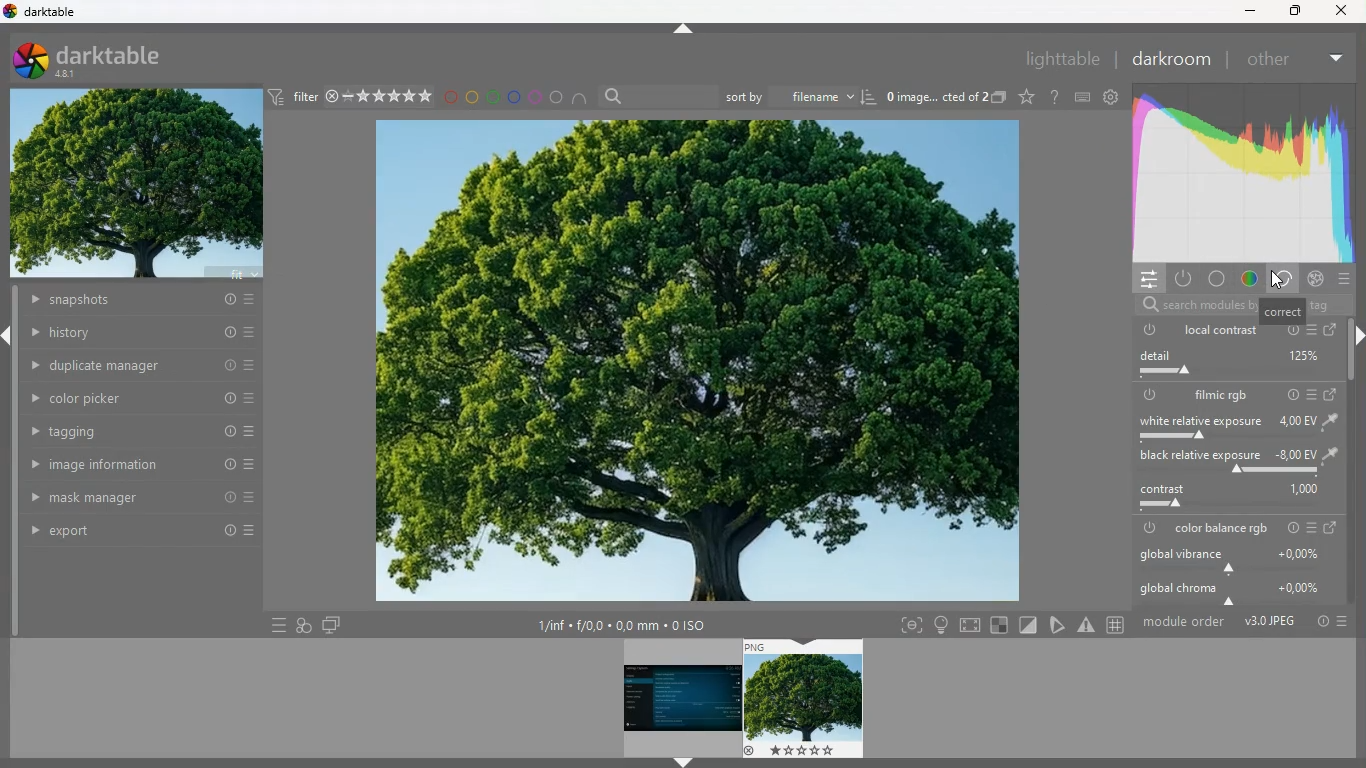  Describe the element at coordinates (1334, 329) in the screenshot. I see `change` at that location.